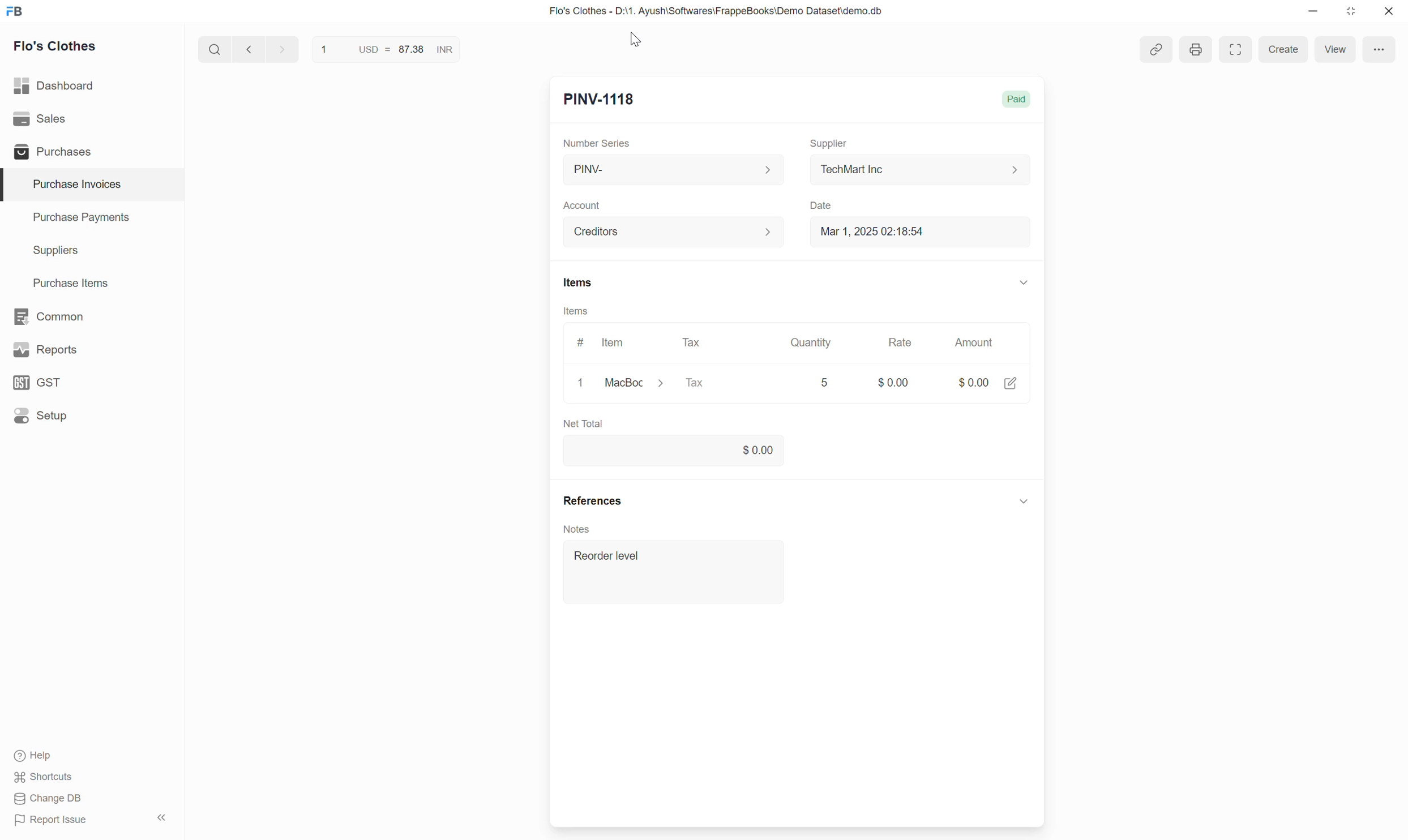 This screenshot has width=1408, height=840. I want to click on MacBook, so click(640, 383).